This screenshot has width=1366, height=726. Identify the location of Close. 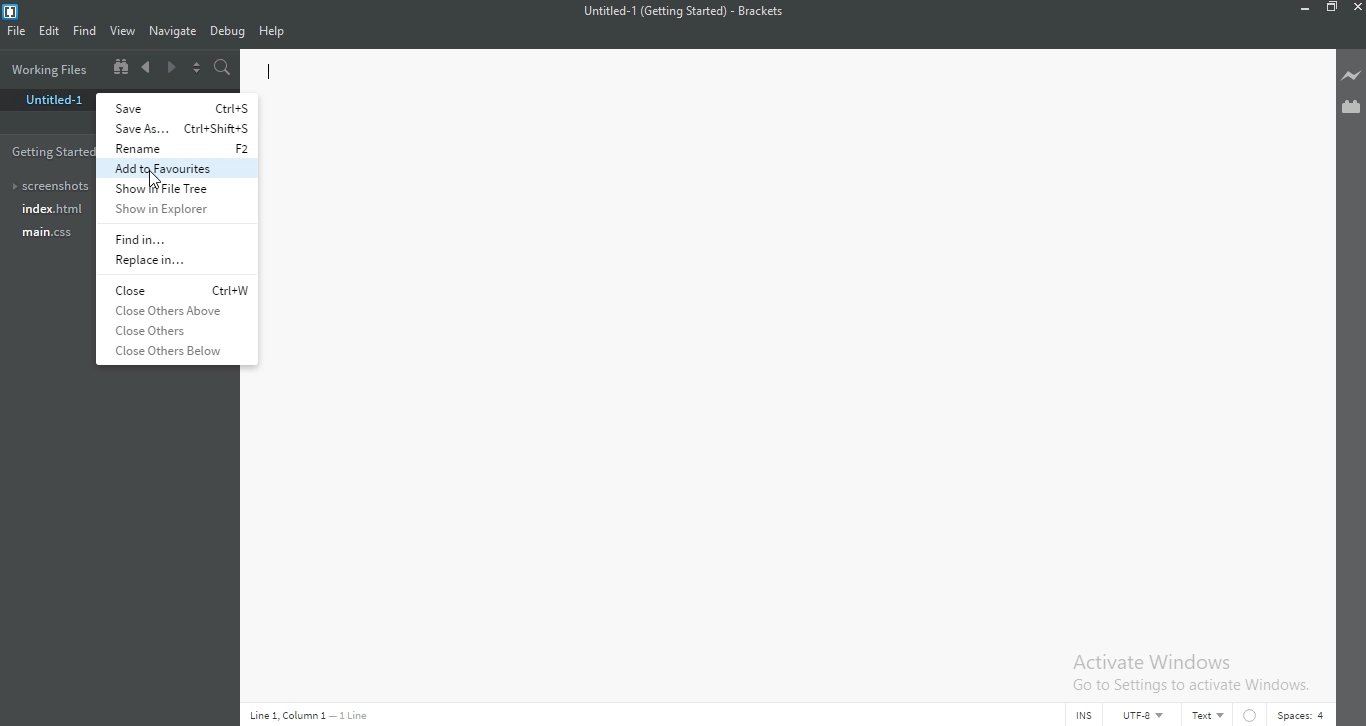
(1357, 9).